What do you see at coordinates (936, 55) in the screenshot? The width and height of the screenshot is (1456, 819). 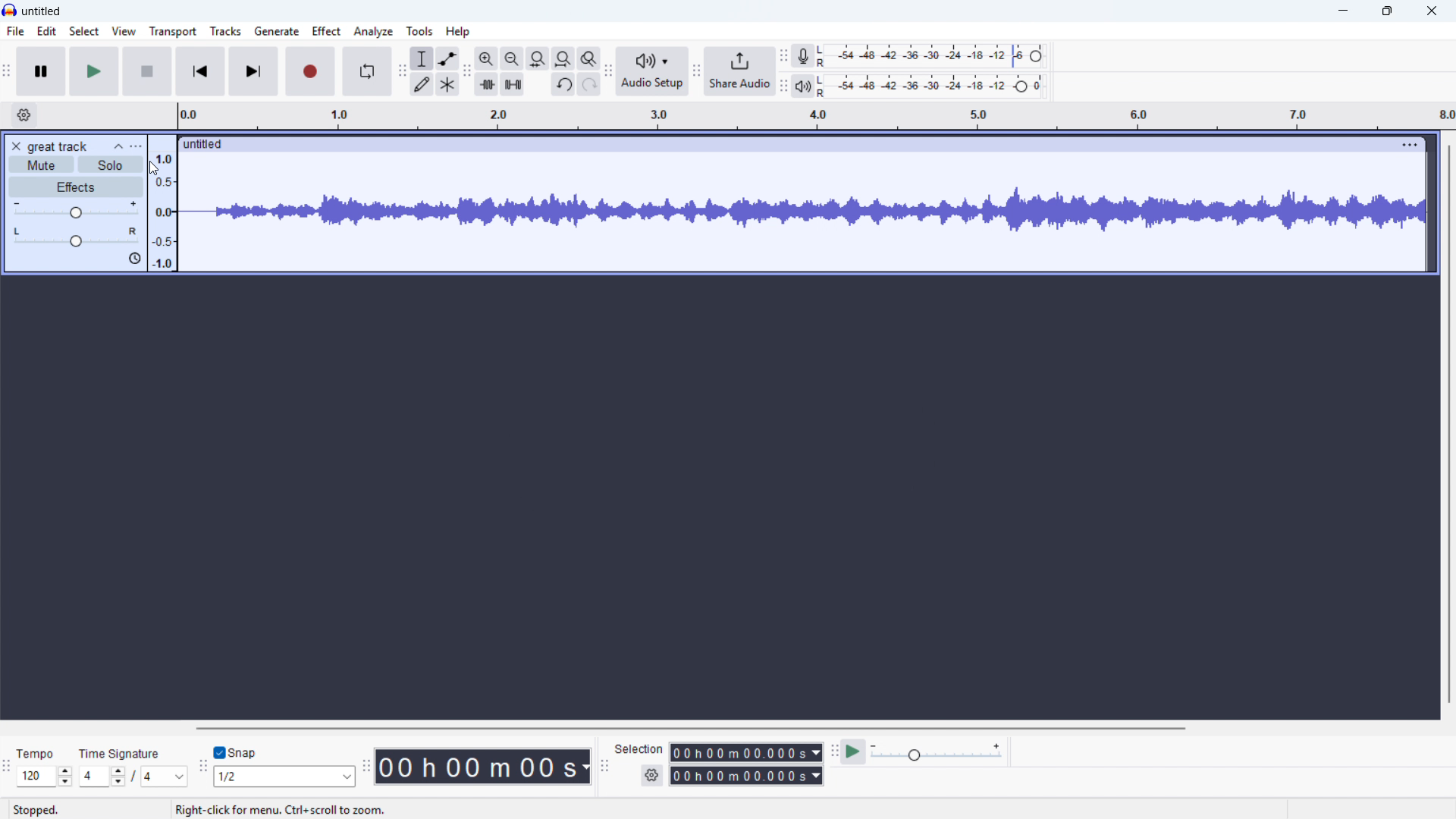 I see `Recording level ` at bounding box center [936, 55].